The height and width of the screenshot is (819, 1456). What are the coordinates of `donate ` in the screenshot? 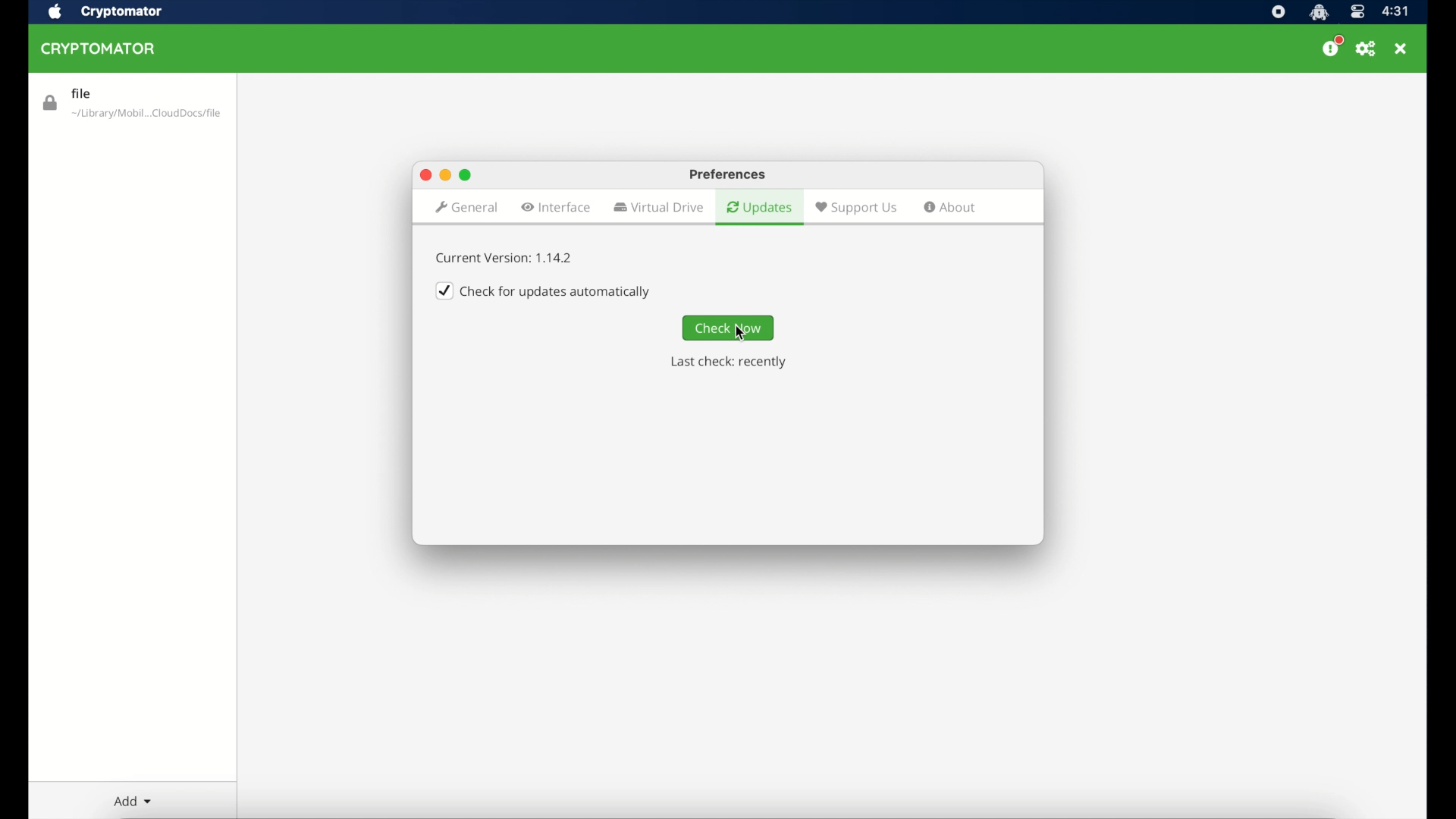 It's located at (1330, 47).